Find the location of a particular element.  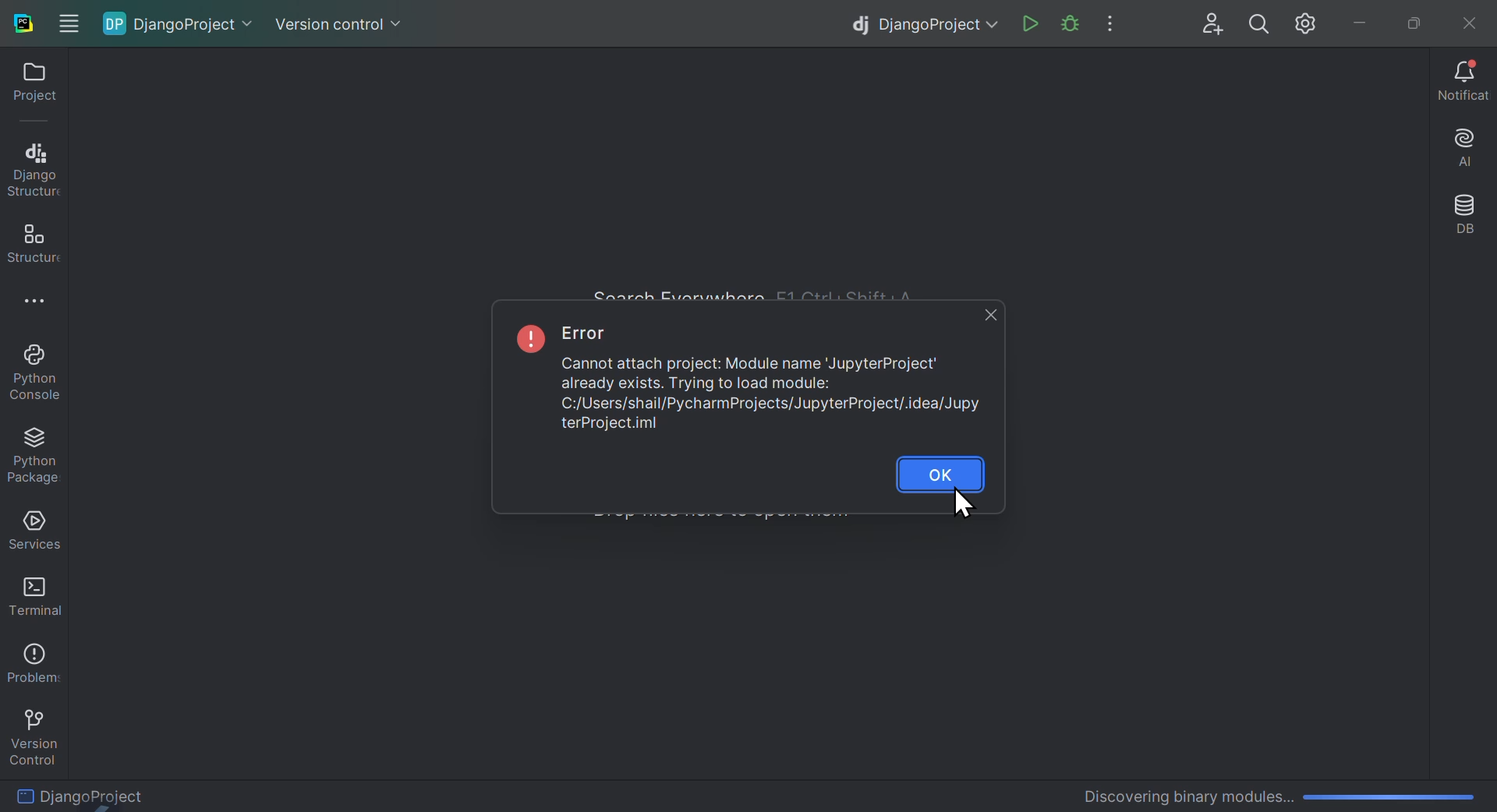

close is located at coordinates (985, 314).